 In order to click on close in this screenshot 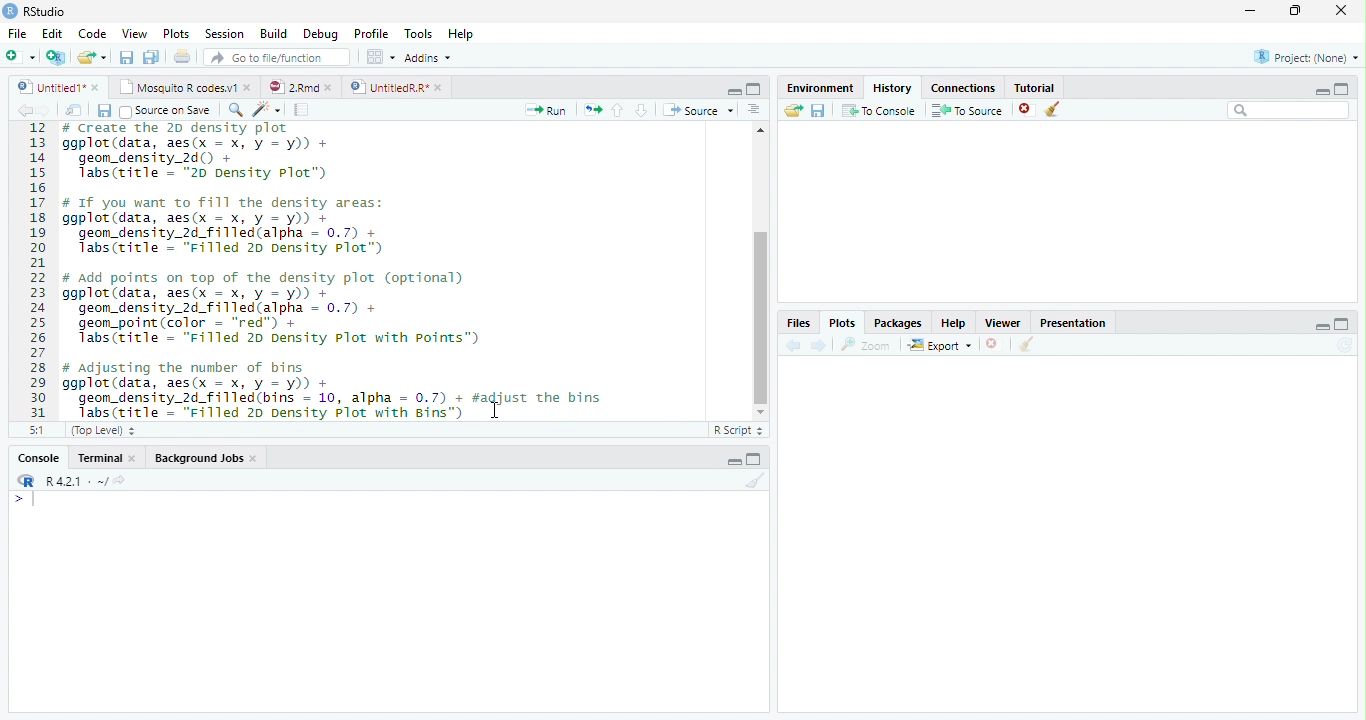, I will do `click(256, 460)`.